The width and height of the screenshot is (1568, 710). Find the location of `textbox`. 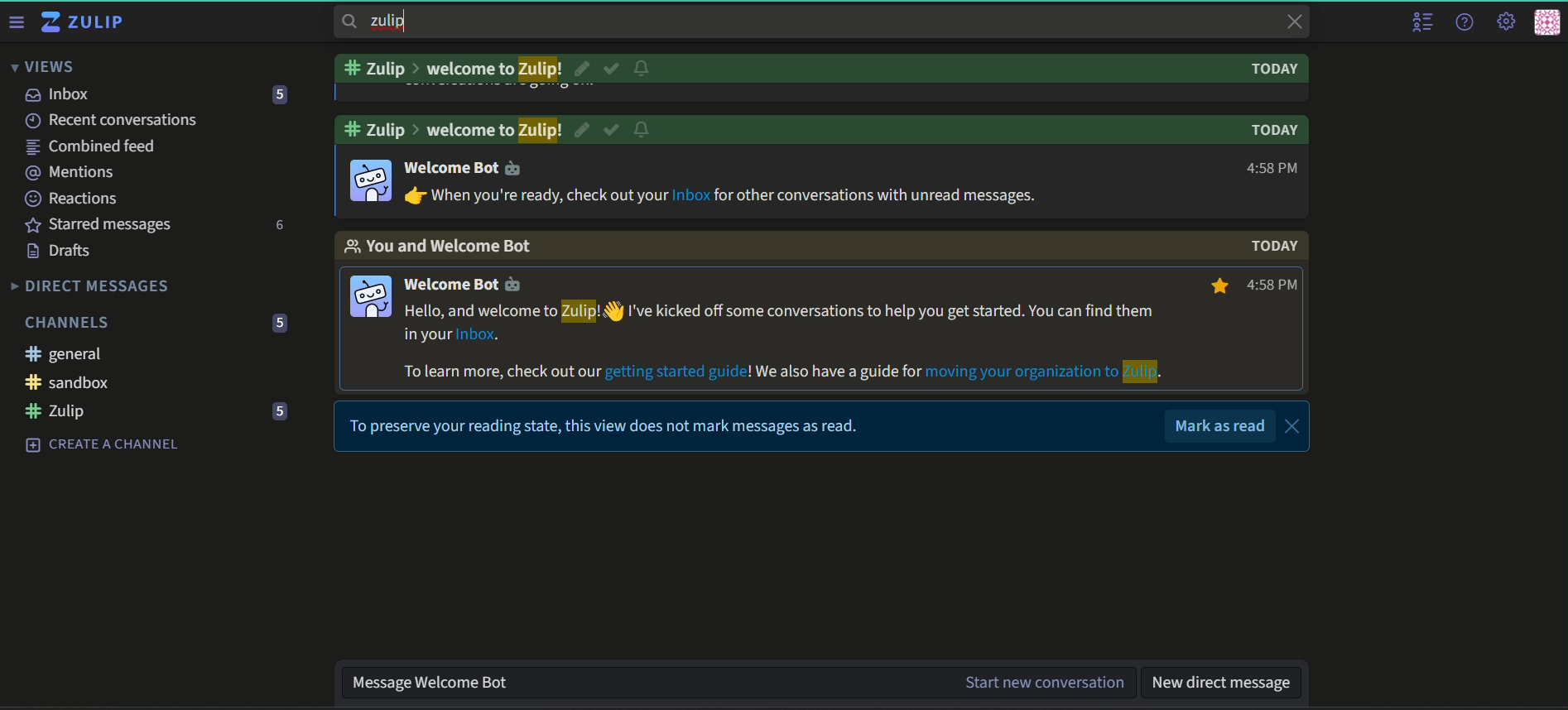

textbox is located at coordinates (741, 682).